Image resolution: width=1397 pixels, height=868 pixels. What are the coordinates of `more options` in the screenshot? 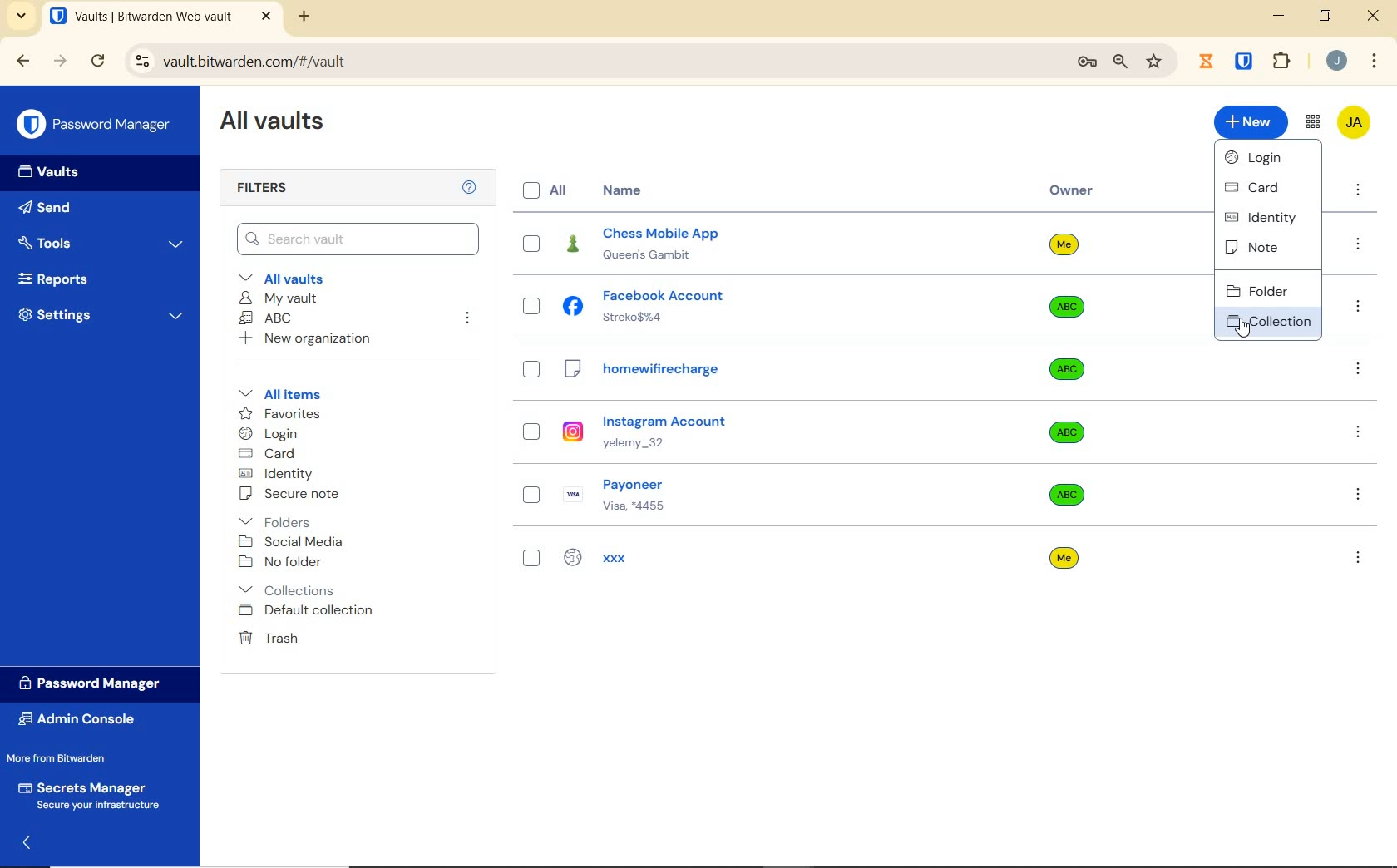 It's located at (1358, 496).